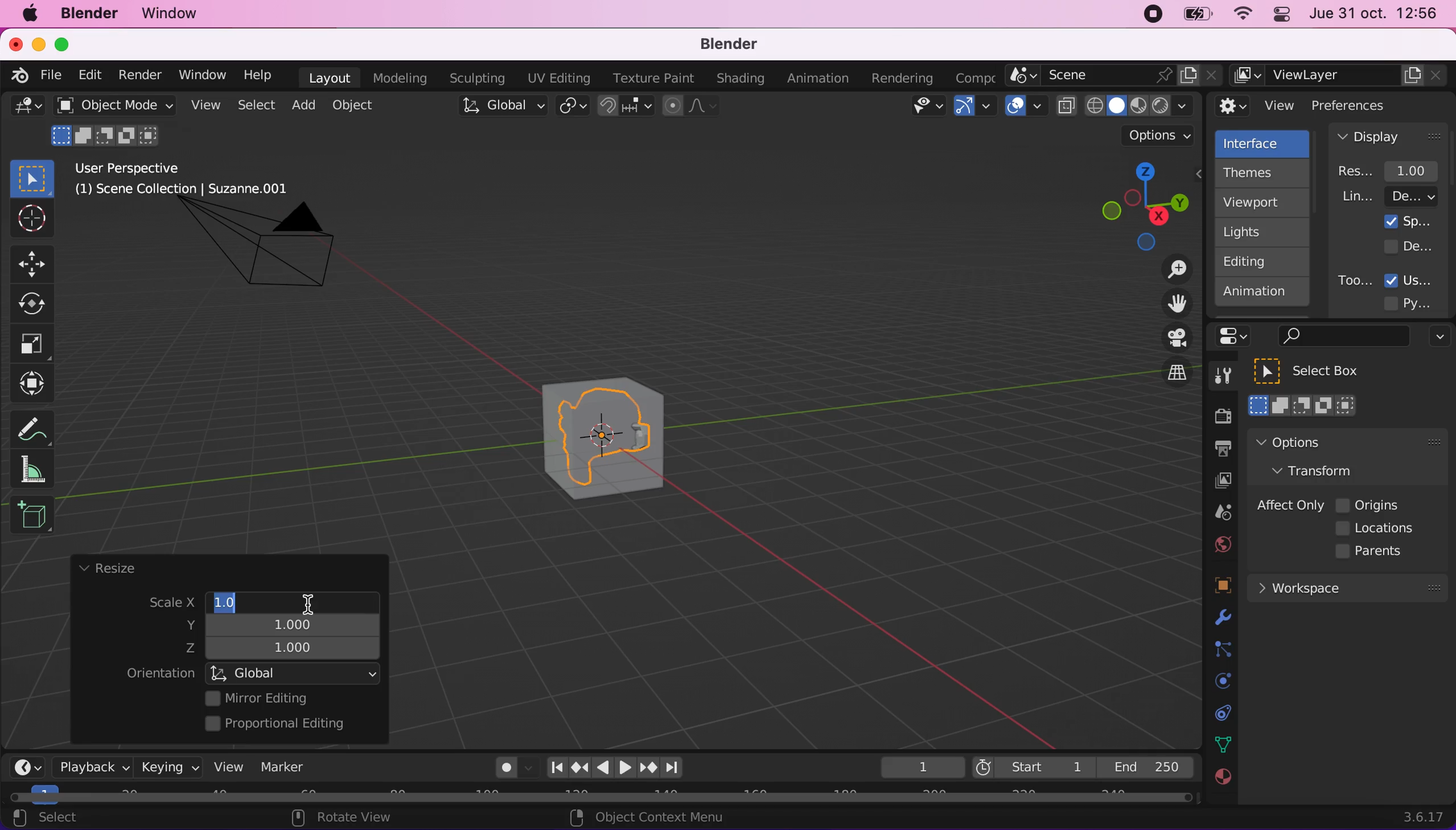  I want to click on data, so click(1220, 743).